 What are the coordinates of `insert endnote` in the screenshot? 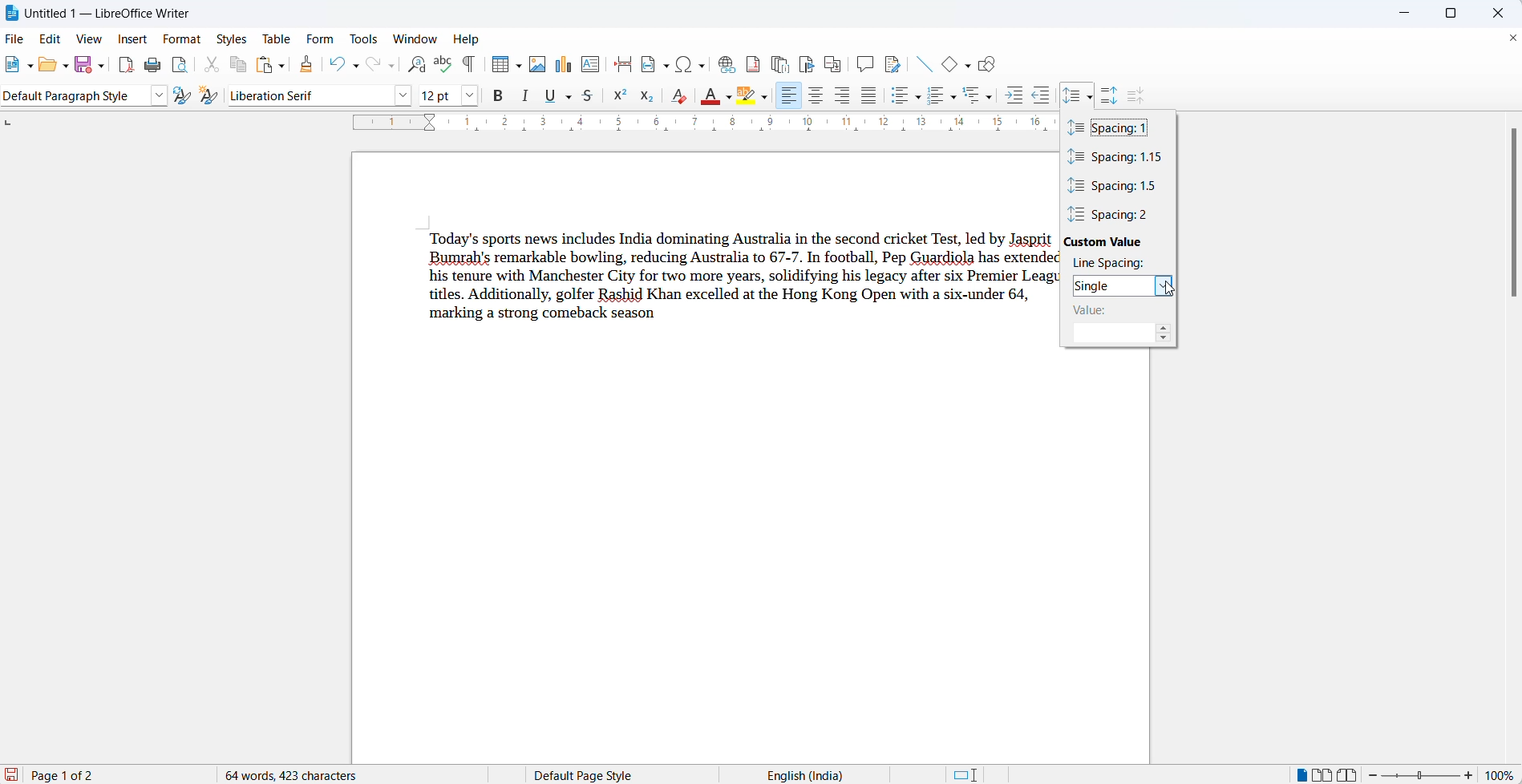 It's located at (778, 62).